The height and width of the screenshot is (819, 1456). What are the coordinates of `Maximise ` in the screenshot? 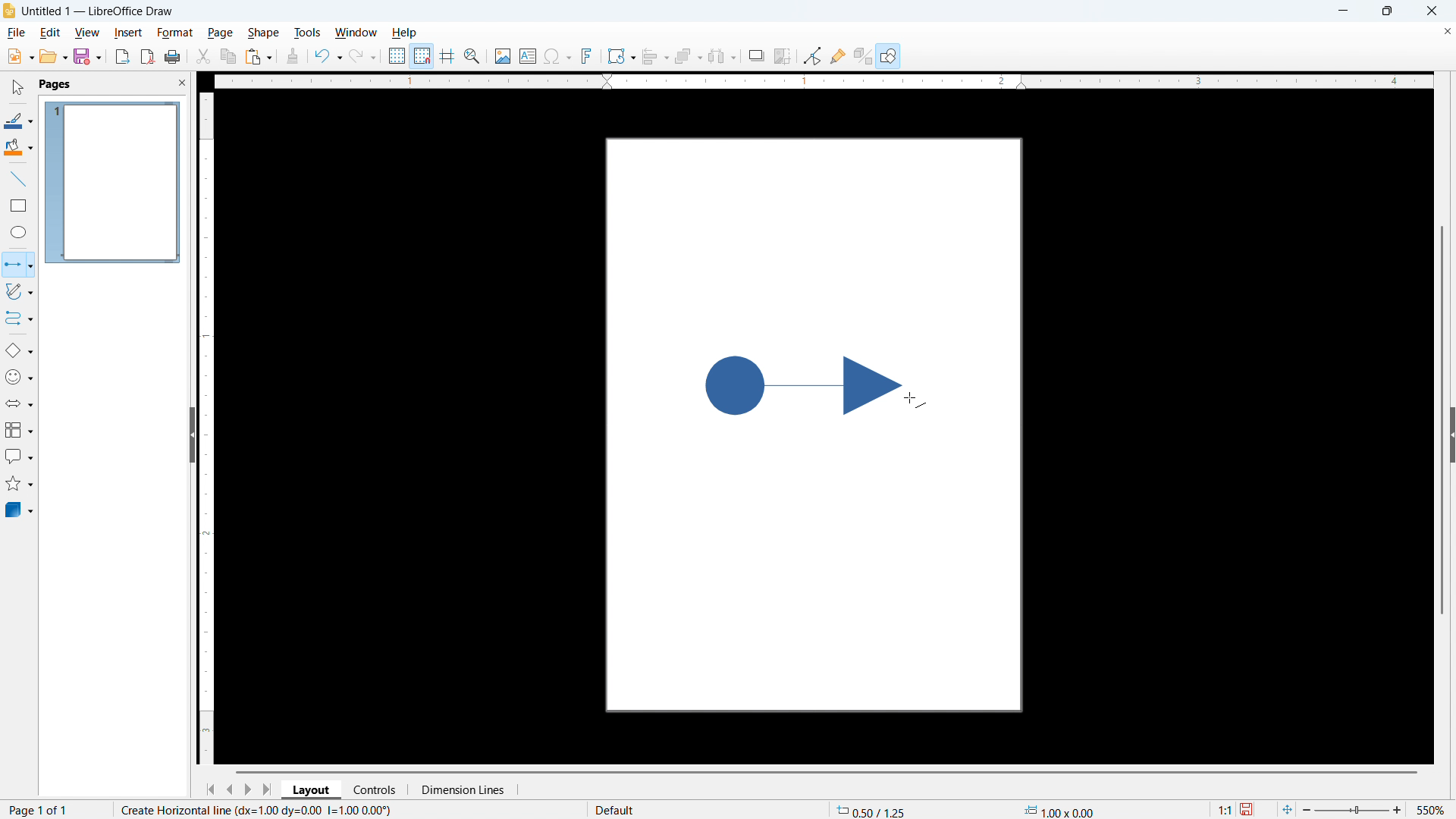 It's located at (1388, 11).